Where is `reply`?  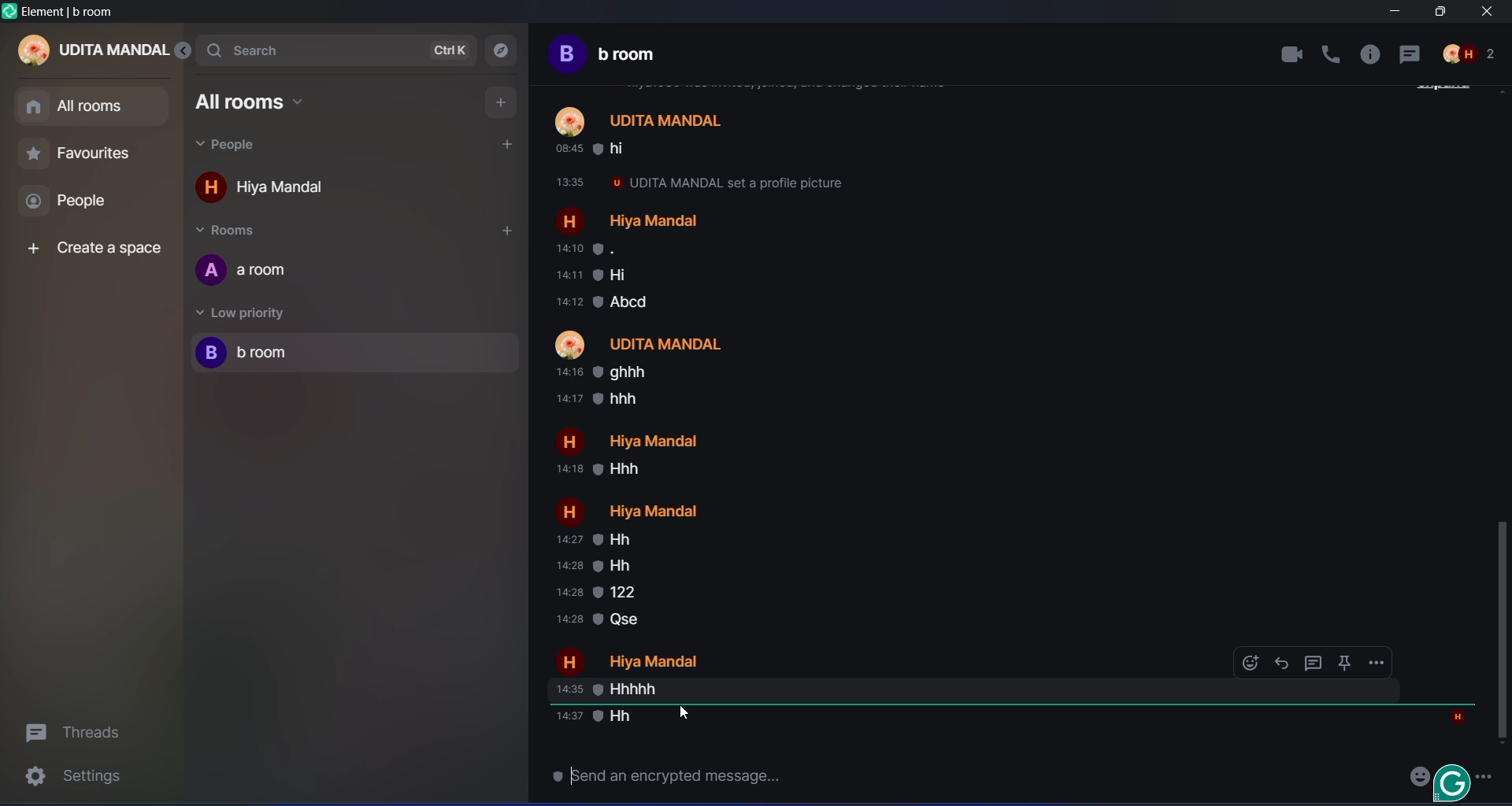 reply is located at coordinates (1287, 662).